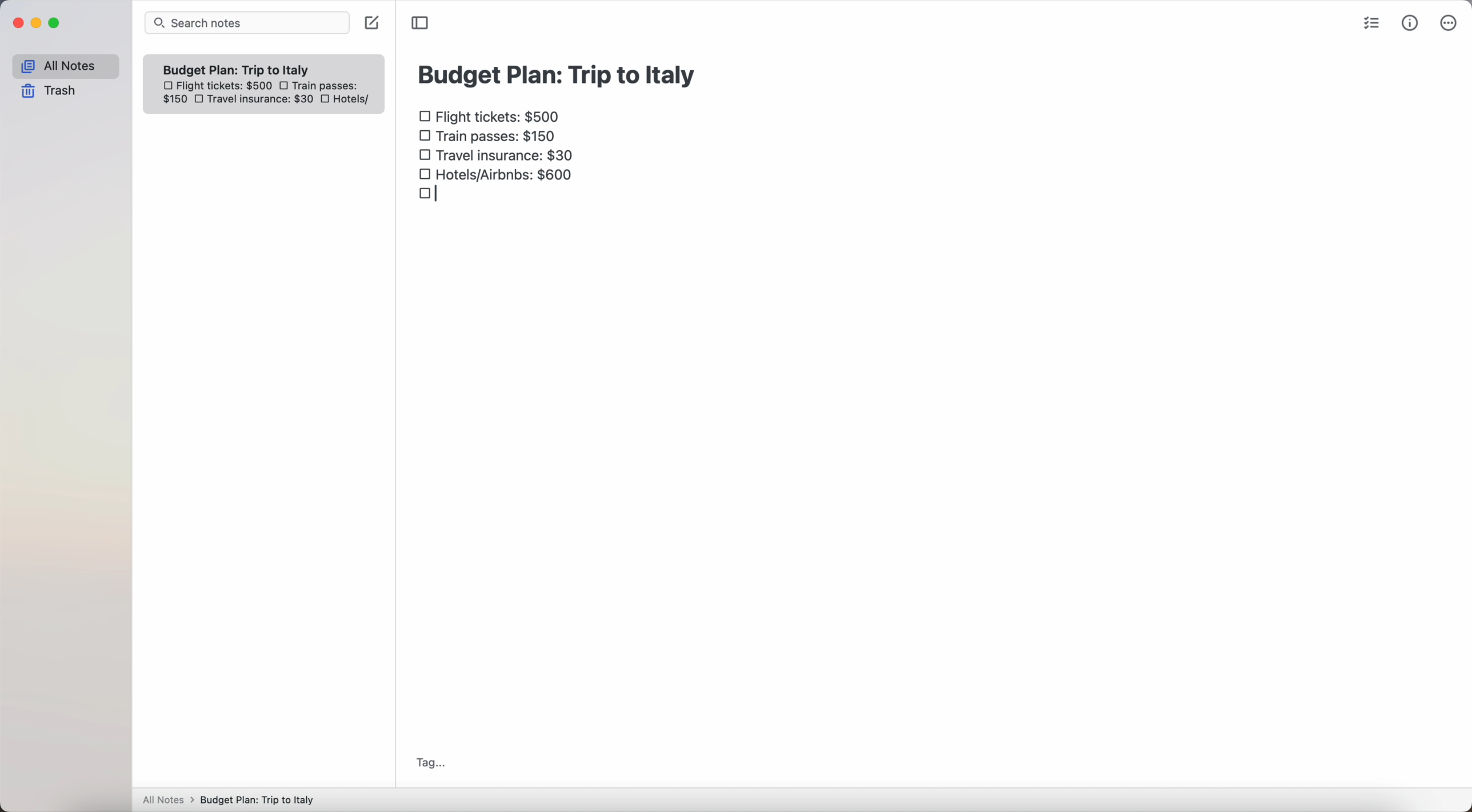 The image size is (1472, 812). Describe the element at coordinates (174, 101) in the screenshot. I see `150` at that location.